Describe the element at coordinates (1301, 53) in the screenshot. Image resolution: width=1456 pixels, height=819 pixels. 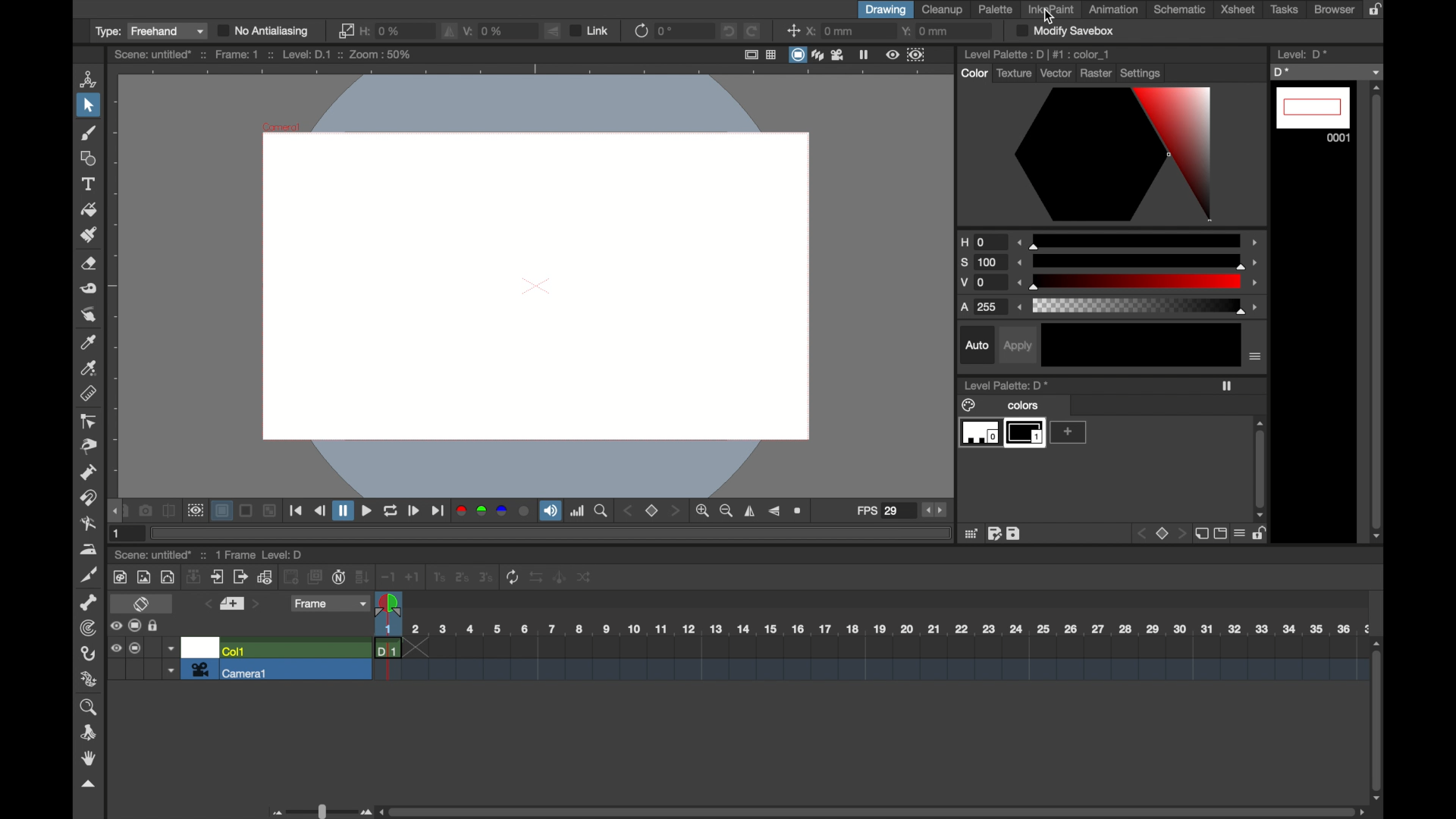
I see `level` at that location.